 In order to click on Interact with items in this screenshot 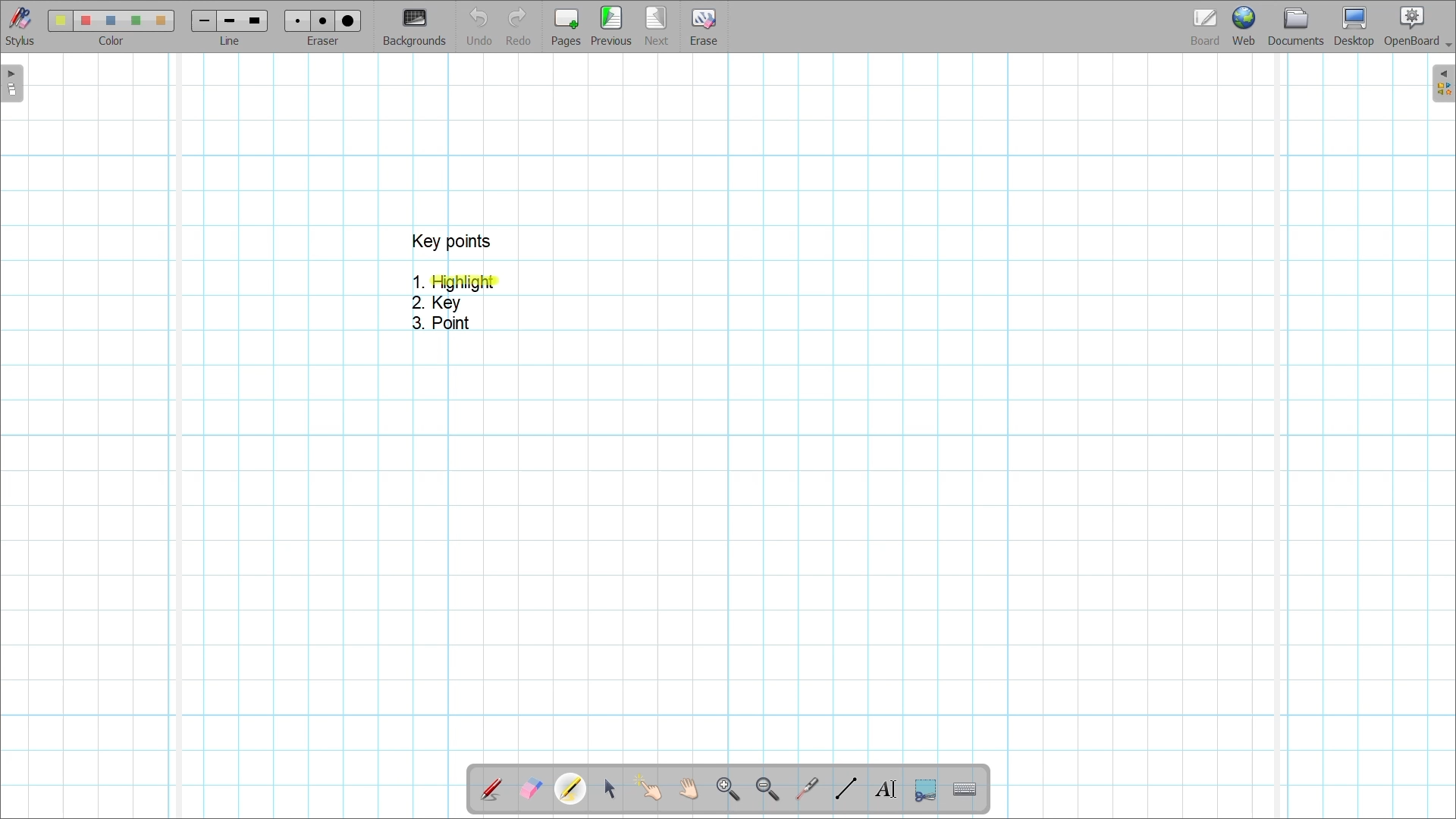, I will do `click(648, 788)`.